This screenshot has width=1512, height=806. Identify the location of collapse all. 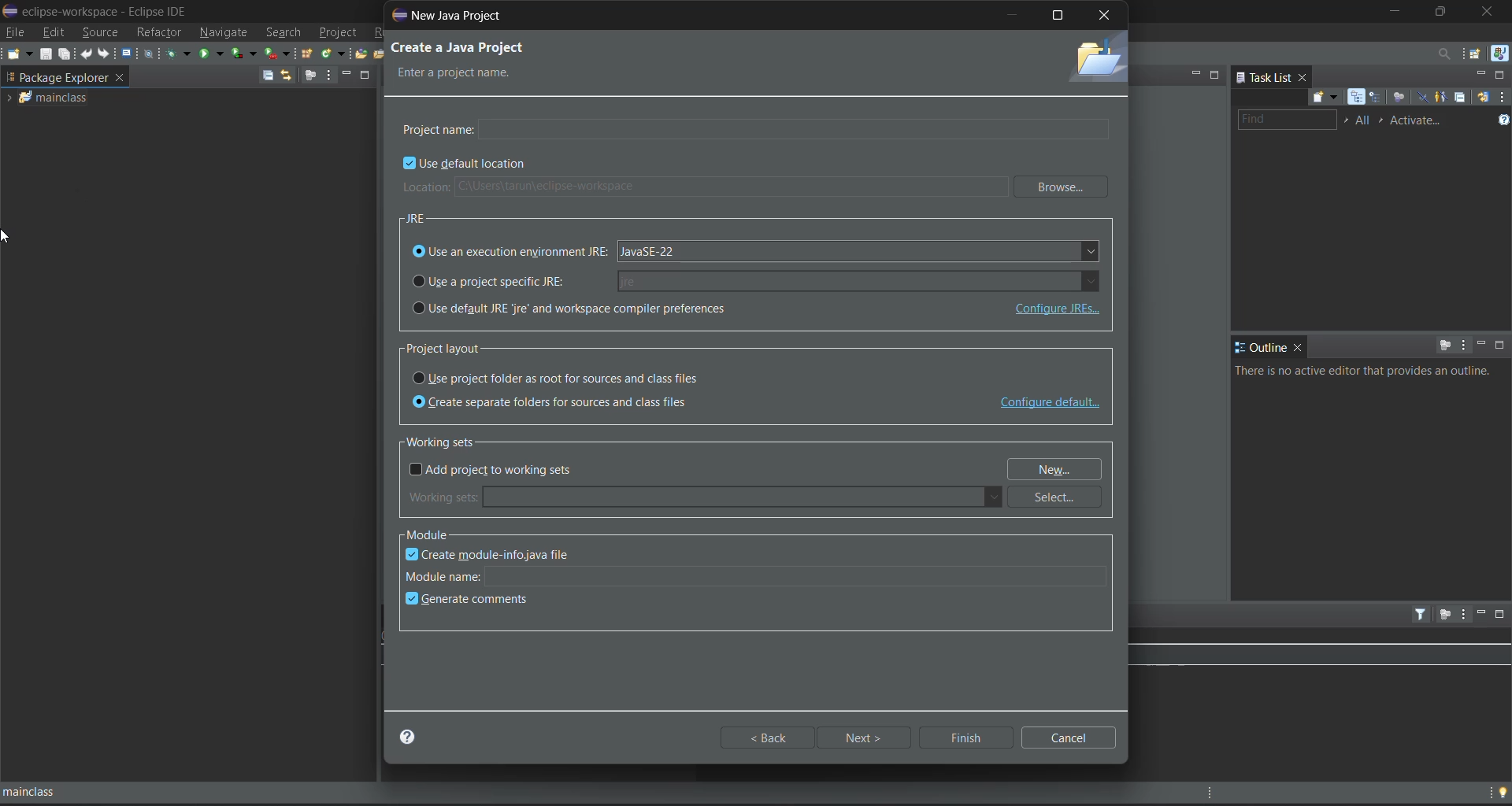
(267, 76).